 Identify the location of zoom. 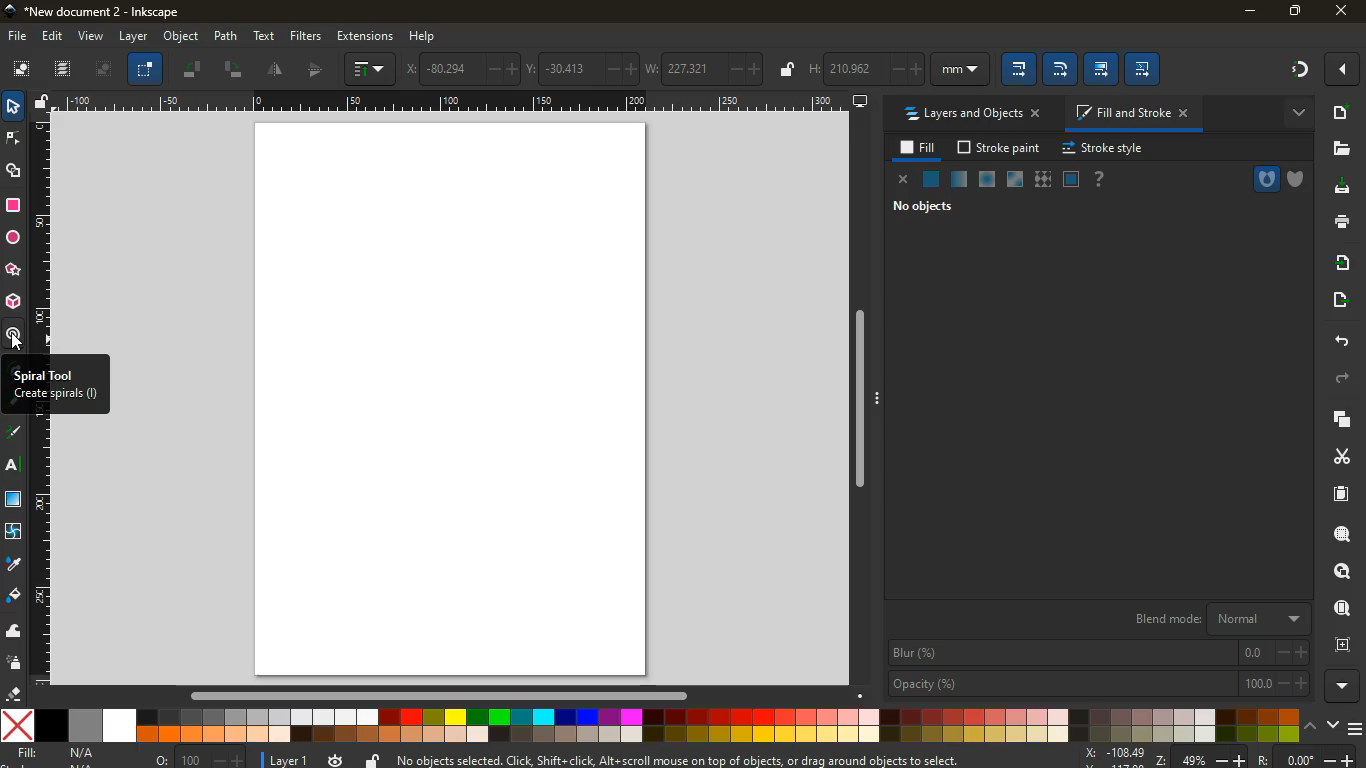
(1226, 756).